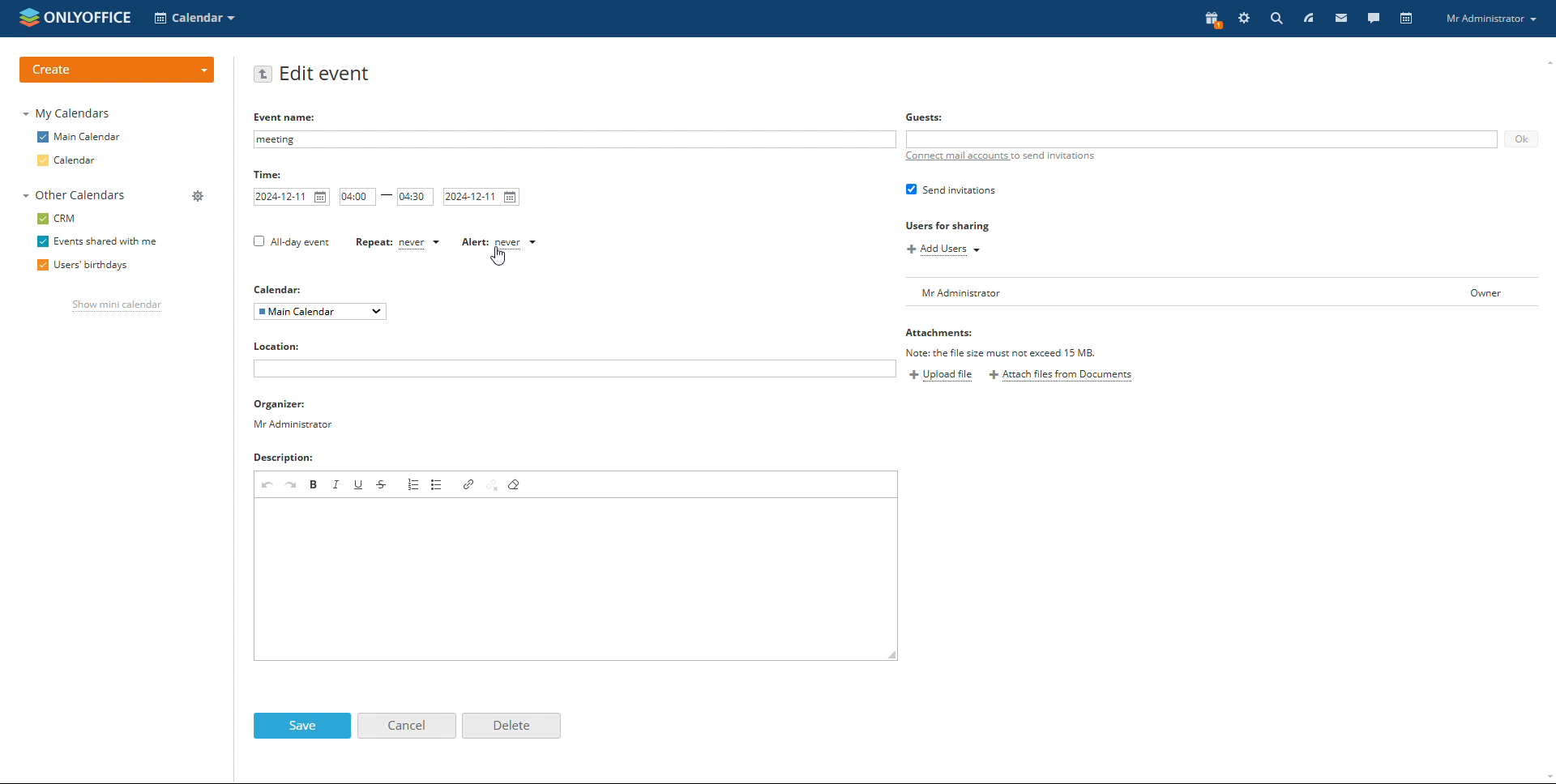 This screenshot has width=1556, height=784. What do you see at coordinates (284, 346) in the screenshot?
I see `location` at bounding box center [284, 346].